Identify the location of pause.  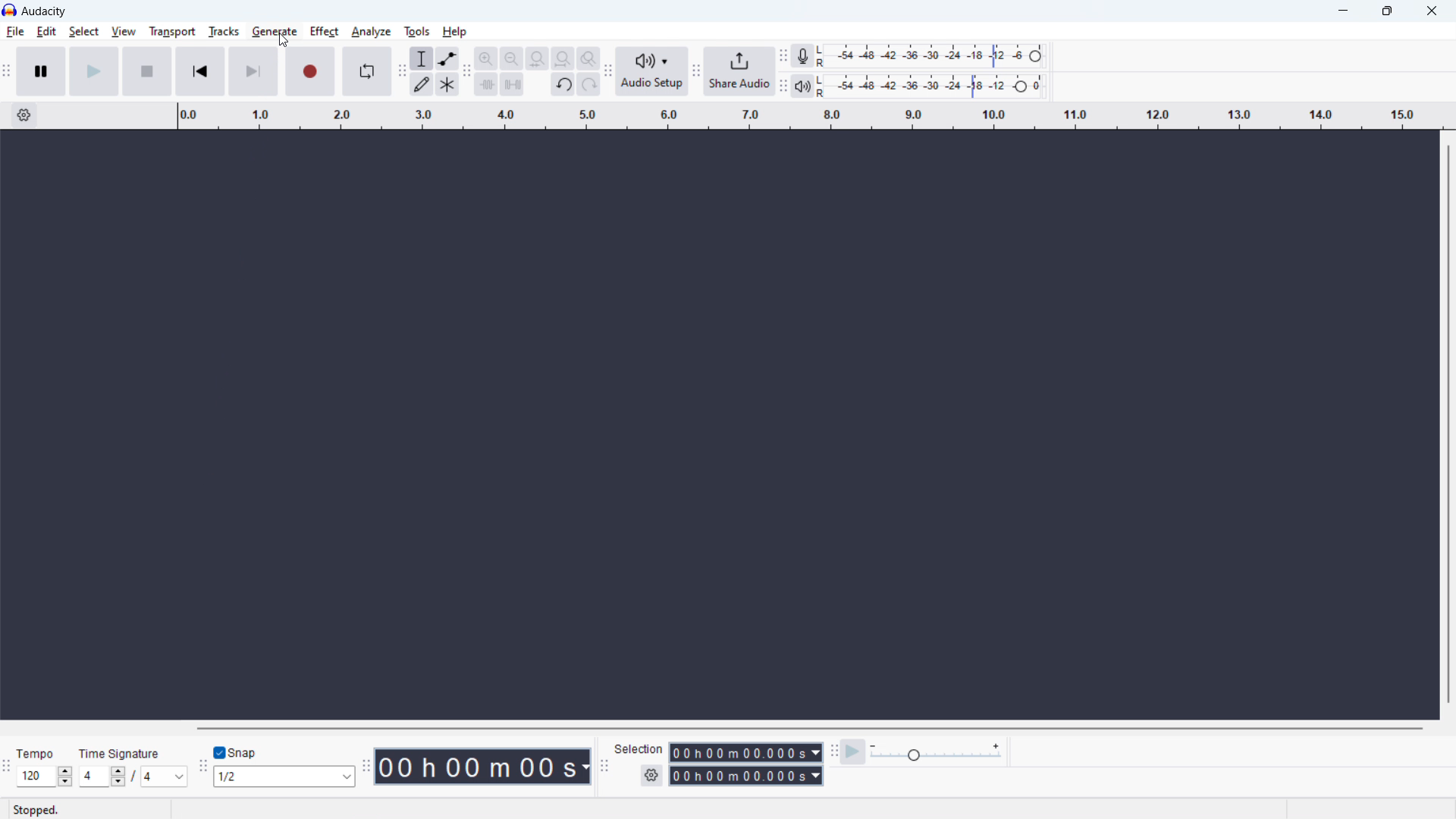
(41, 71).